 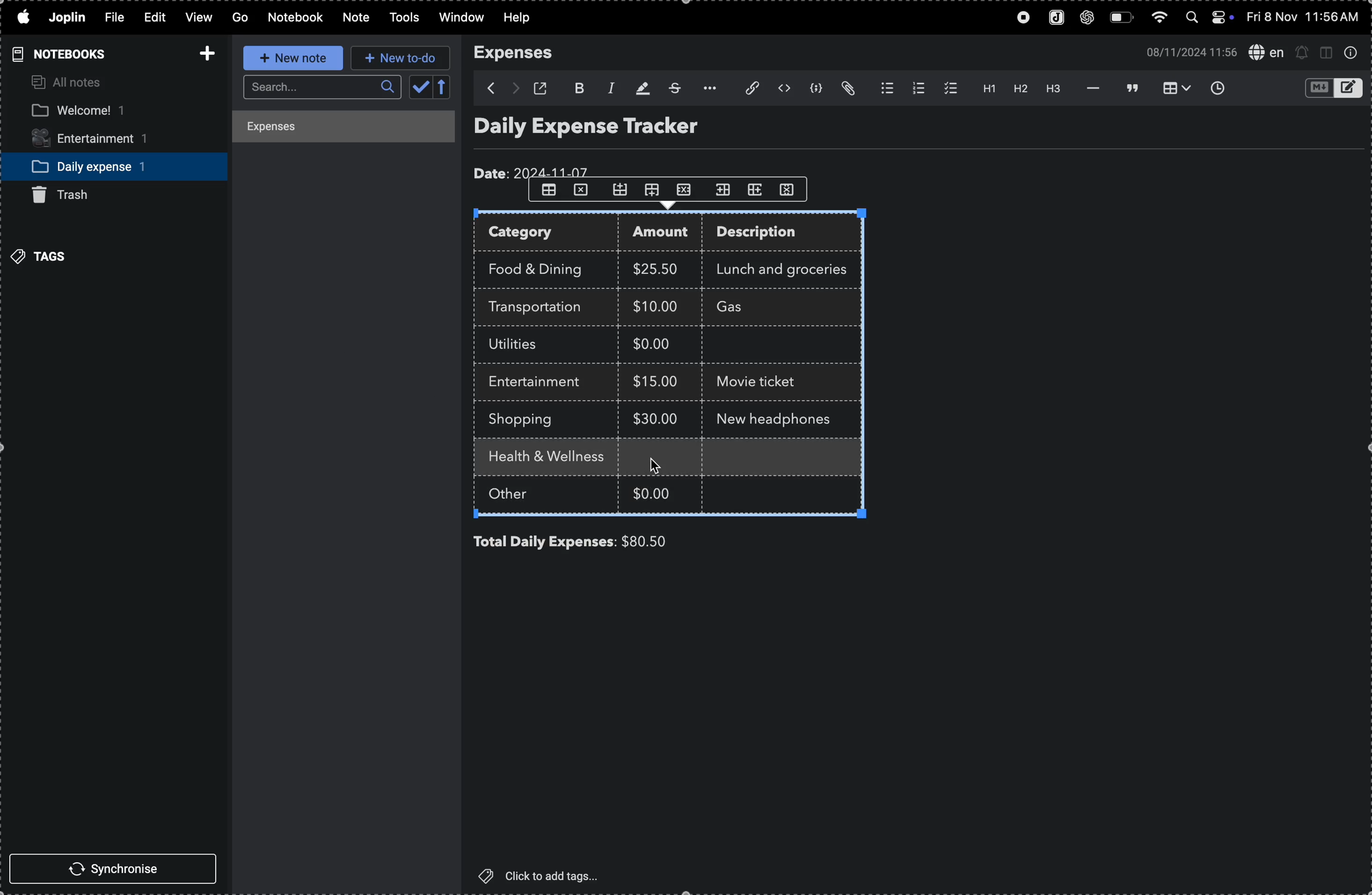 I want to click on add row down, so click(x=655, y=190).